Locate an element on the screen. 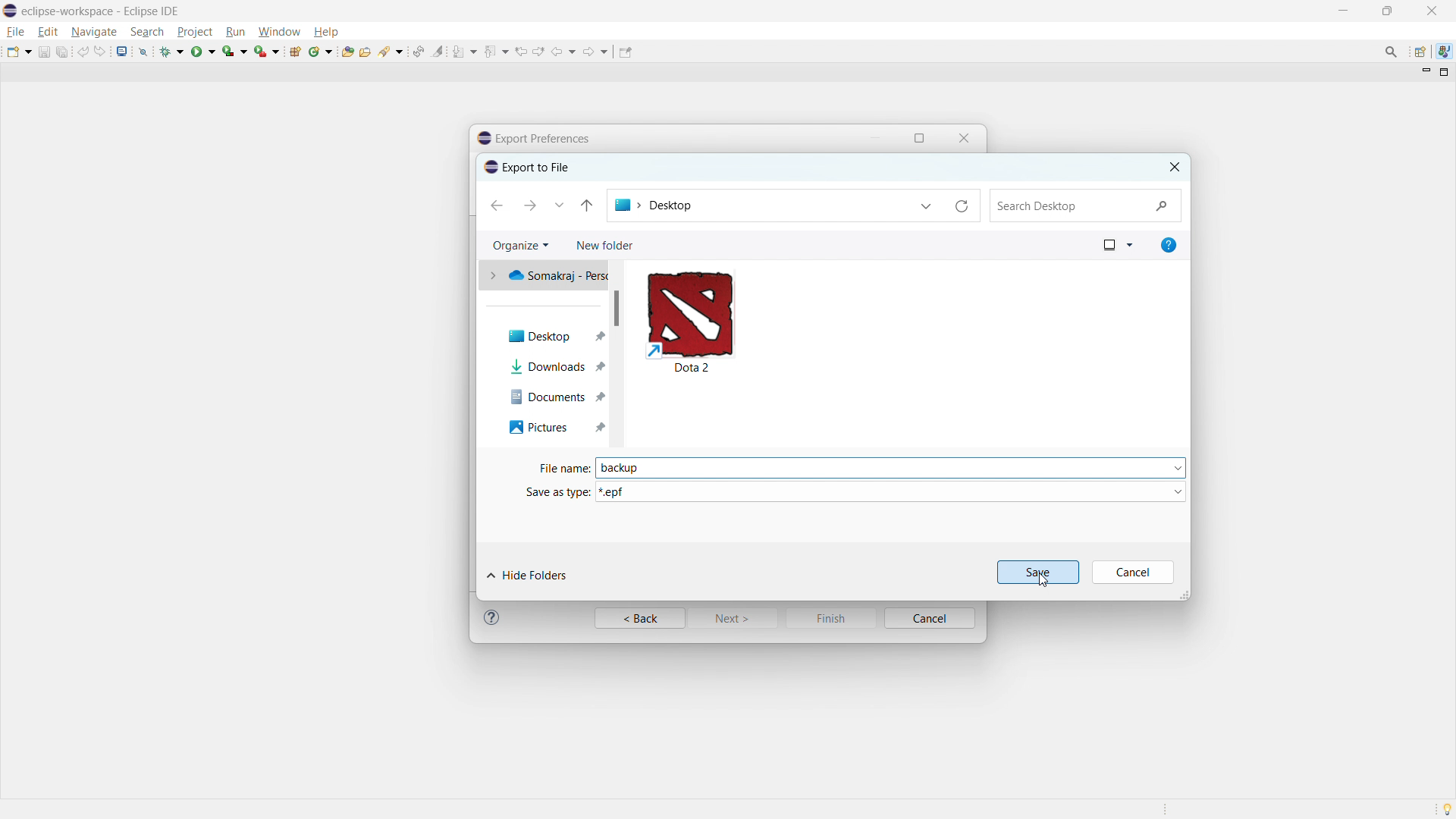 This screenshot has height=819, width=1456. Export Preferences is located at coordinates (548, 134).